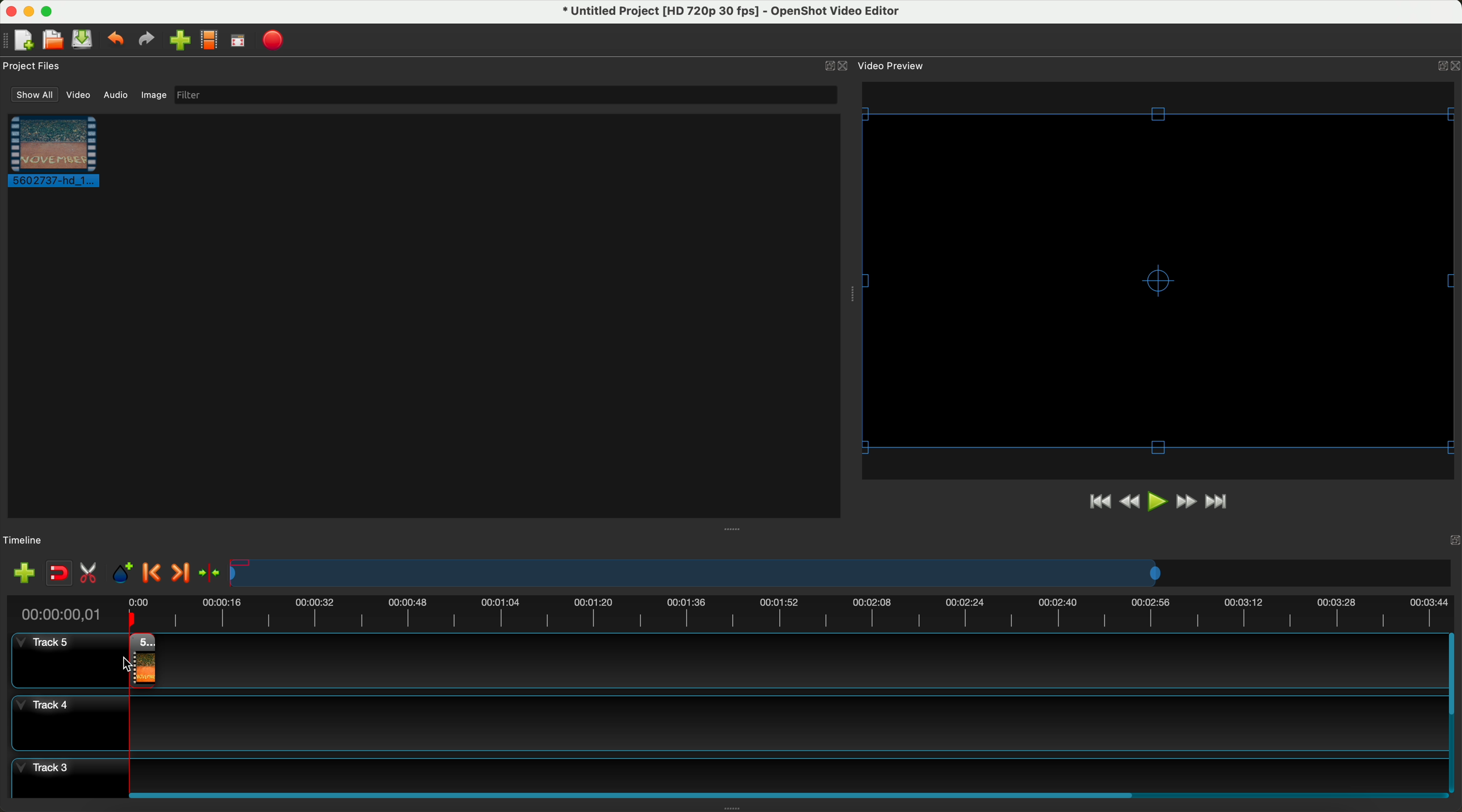  I want to click on import files, so click(179, 40).